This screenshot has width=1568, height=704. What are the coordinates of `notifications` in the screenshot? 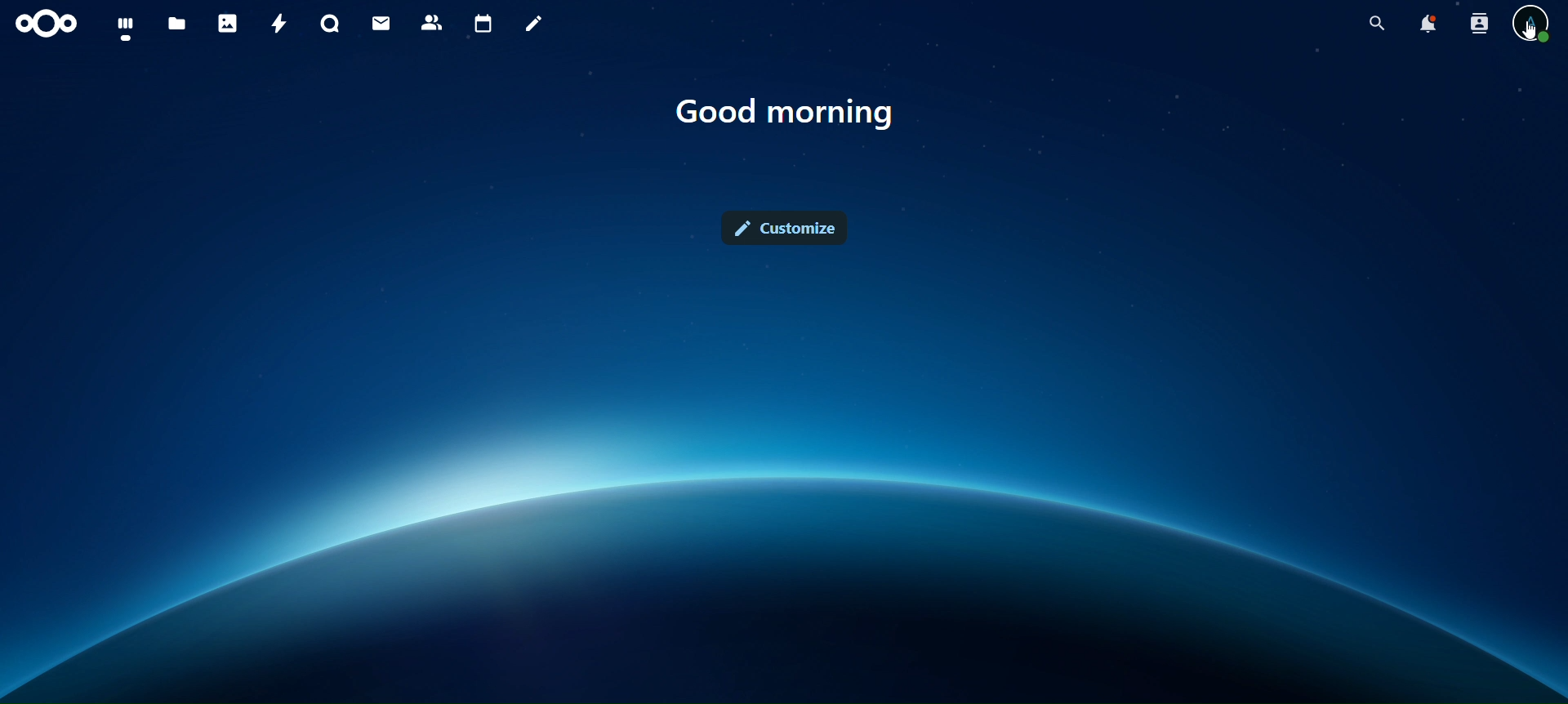 It's located at (1423, 25).